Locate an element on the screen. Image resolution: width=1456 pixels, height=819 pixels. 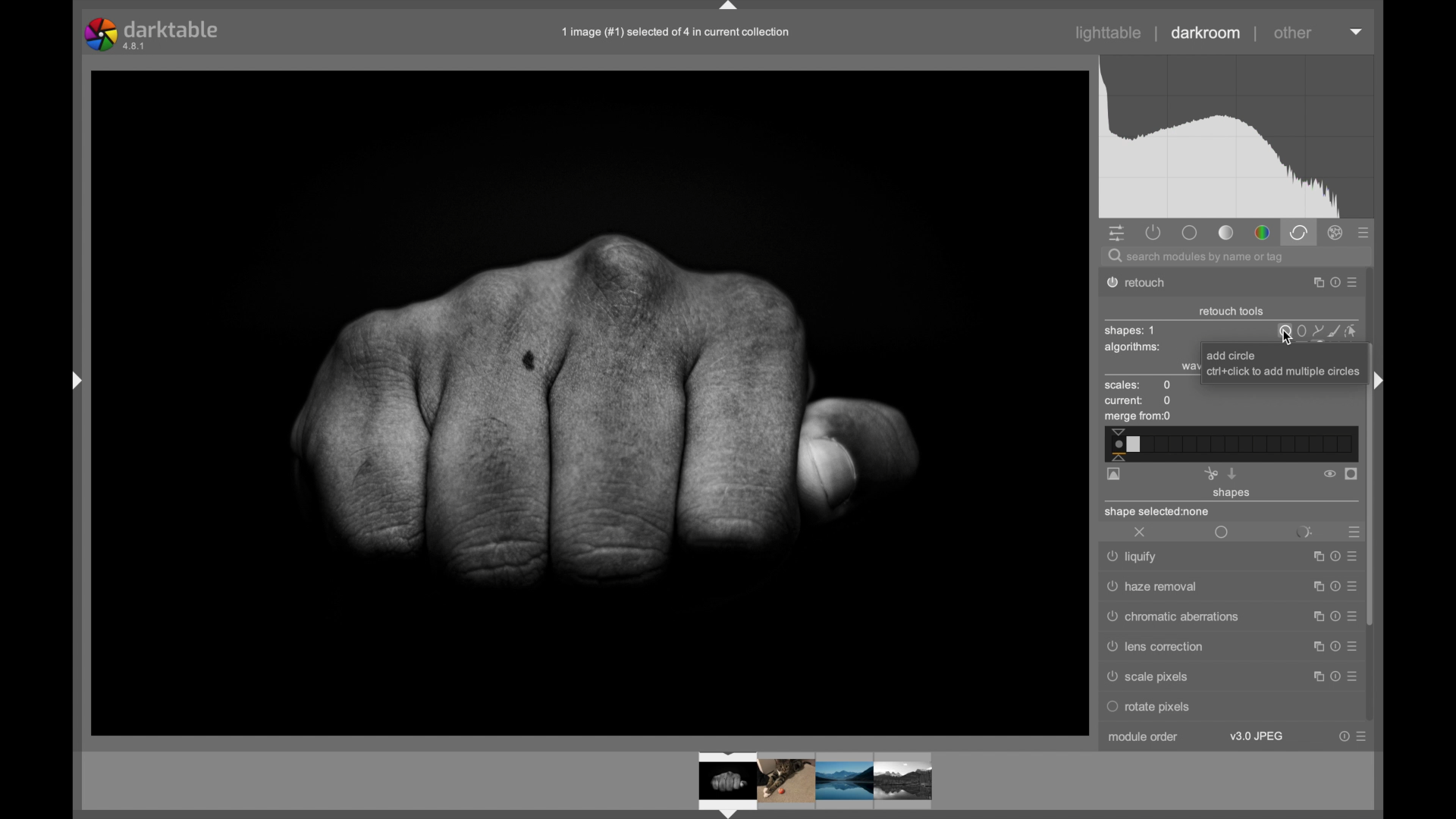
darkroom is located at coordinates (1207, 33).